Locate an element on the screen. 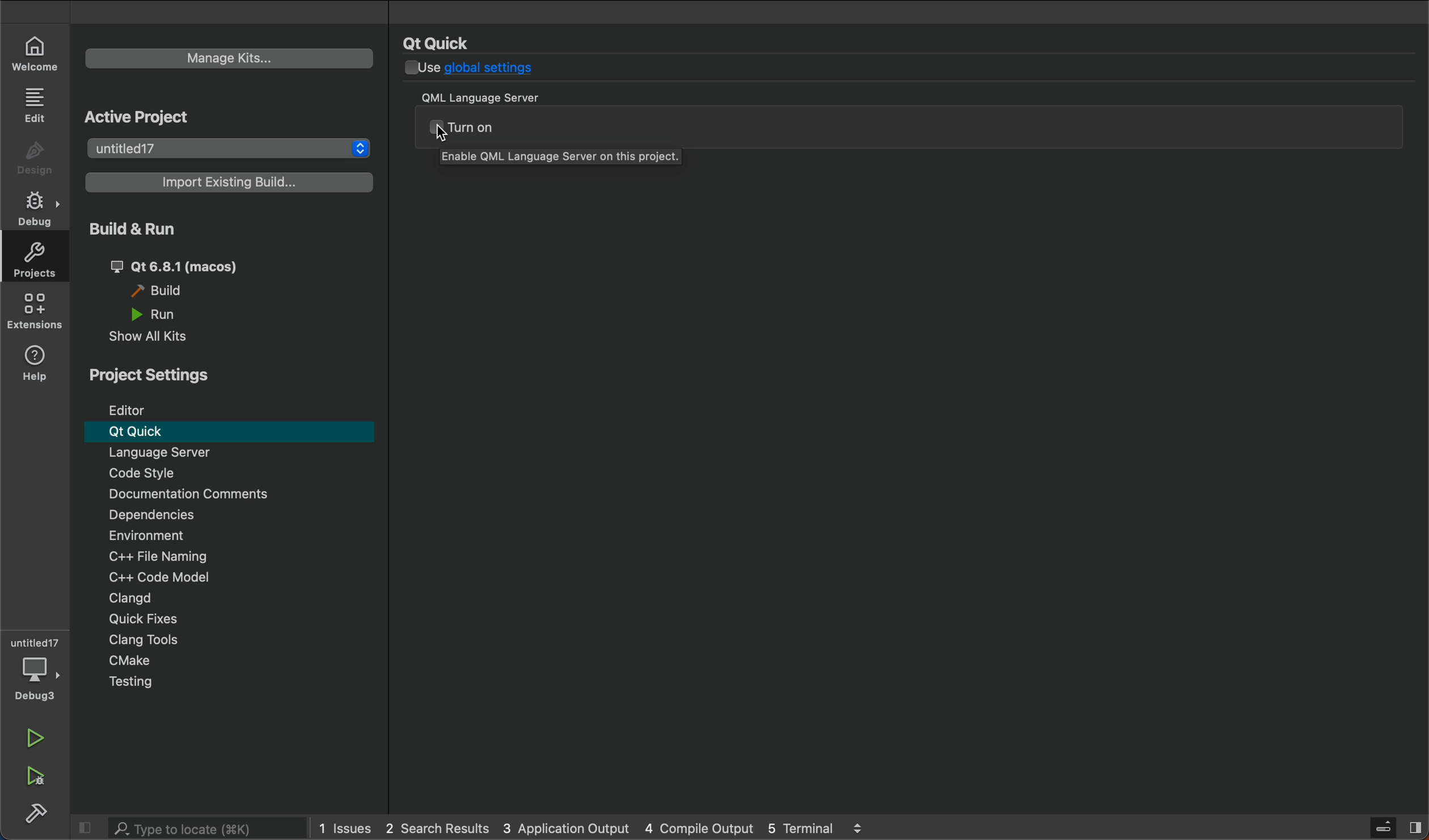  c++ file naming is located at coordinates (235, 556).